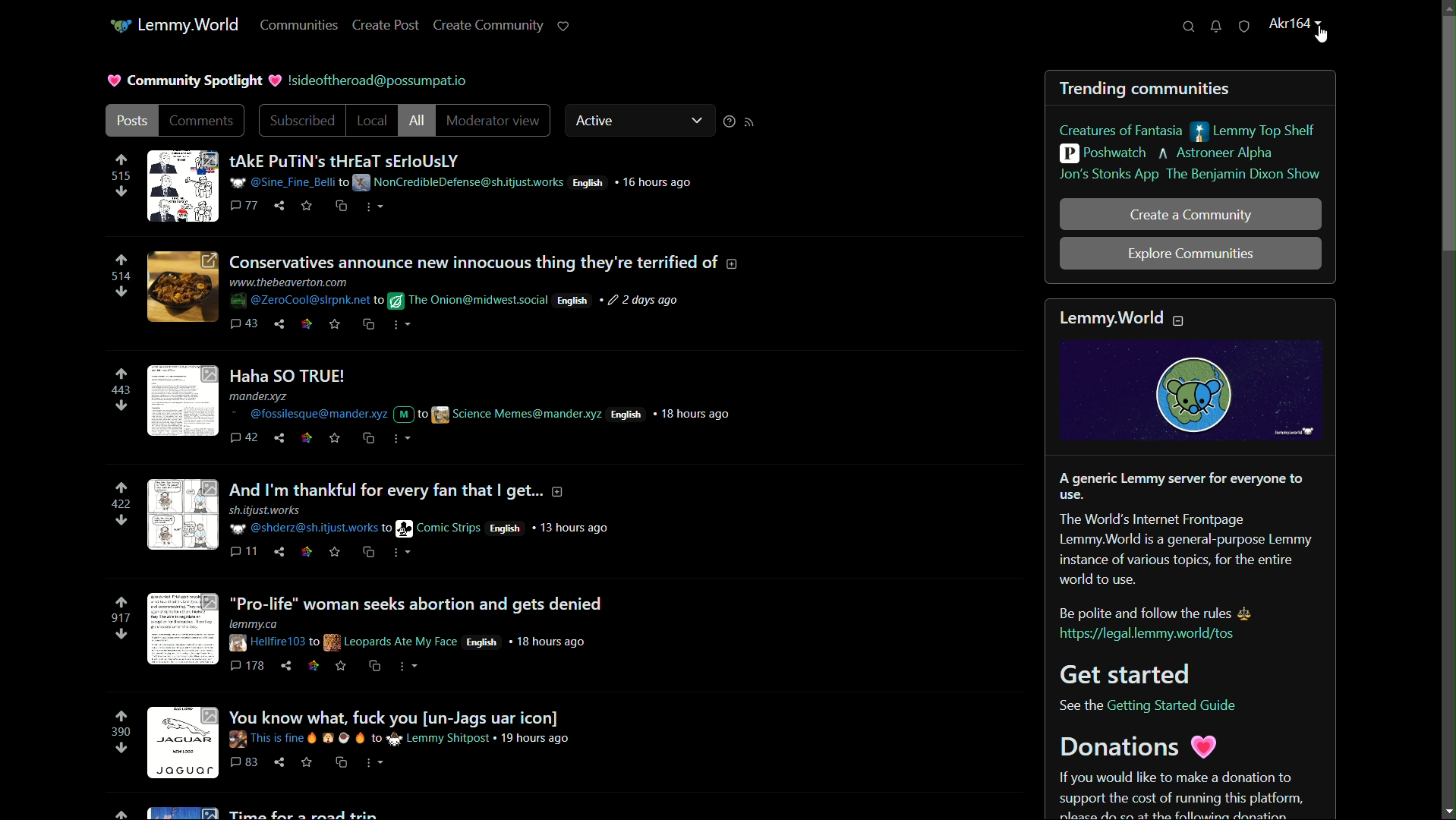  Describe the element at coordinates (1215, 154) in the screenshot. I see `astroneer alpha` at that location.